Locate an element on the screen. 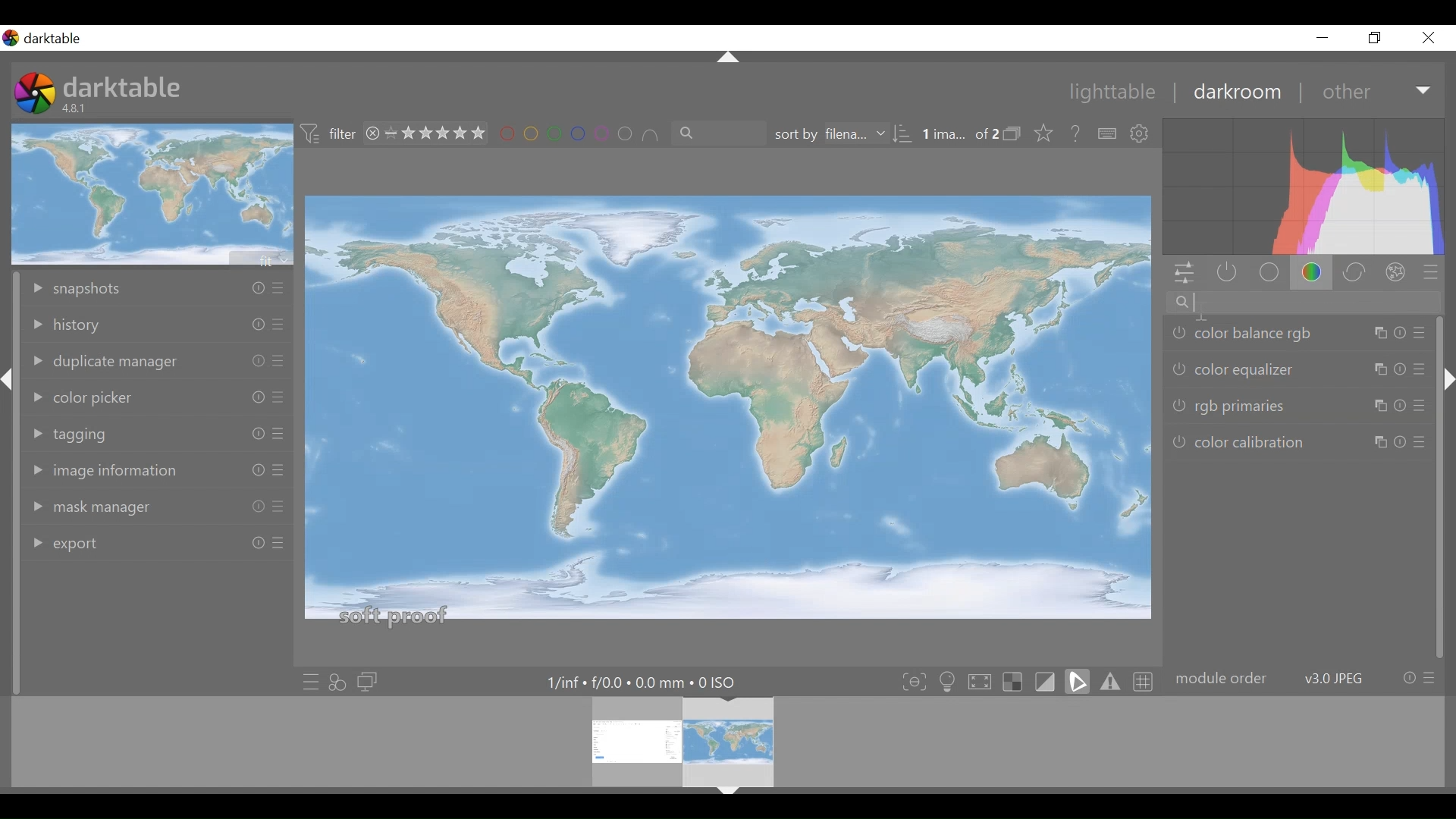  image information is located at coordinates (108, 469).